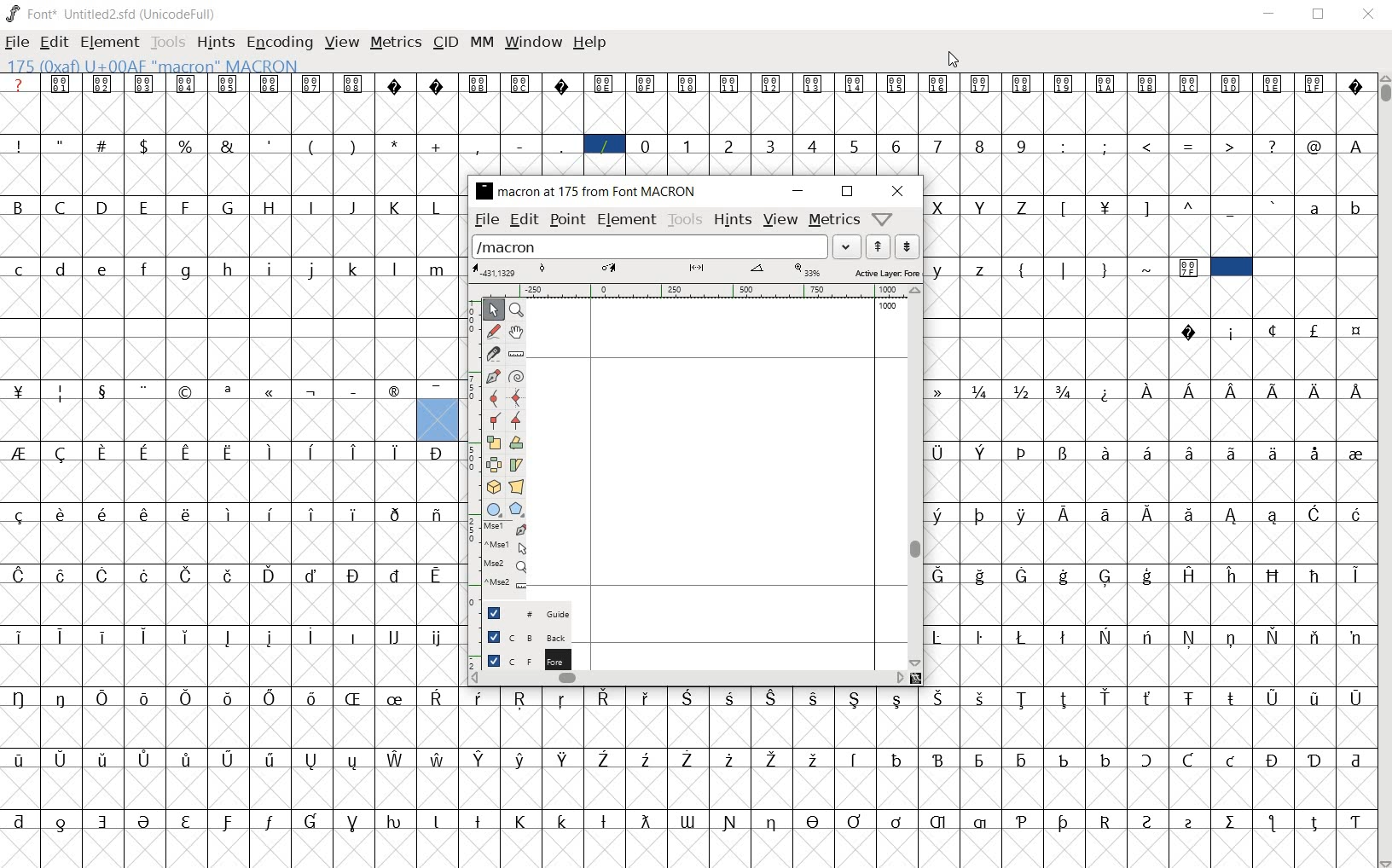 The width and height of the screenshot is (1392, 868). Describe the element at coordinates (1274, 390) in the screenshot. I see `Symbol` at that location.